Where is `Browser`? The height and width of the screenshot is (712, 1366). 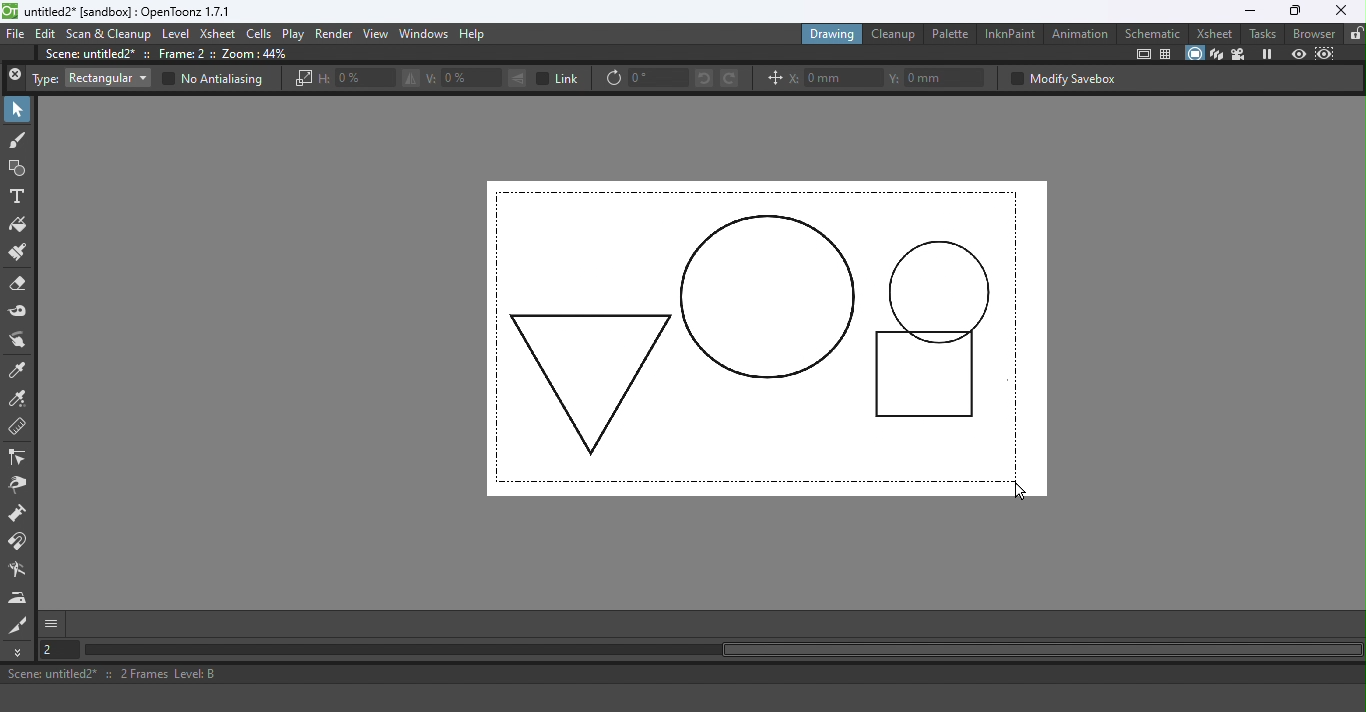
Browser is located at coordinates (1312, 33).